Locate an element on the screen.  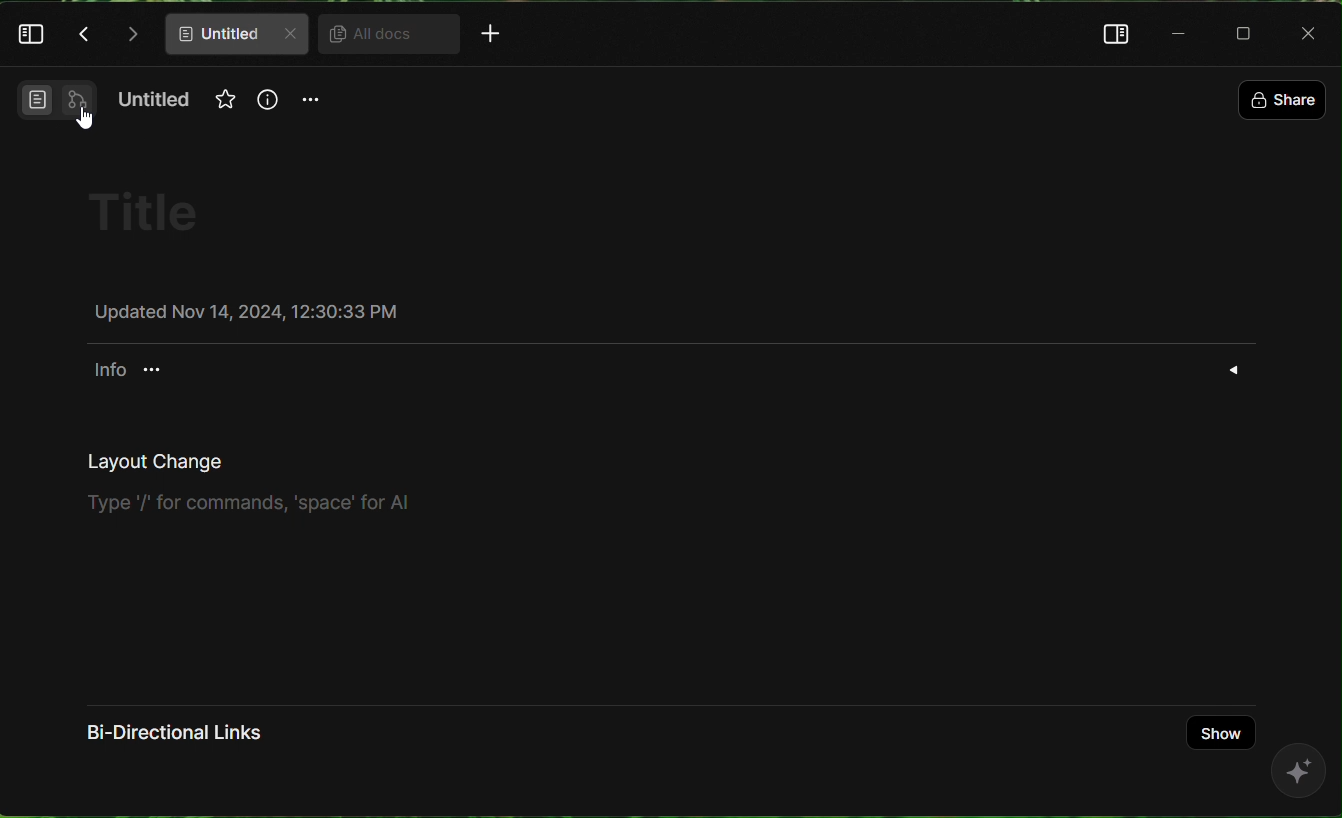
Close is located at coordinates (1311, 32).